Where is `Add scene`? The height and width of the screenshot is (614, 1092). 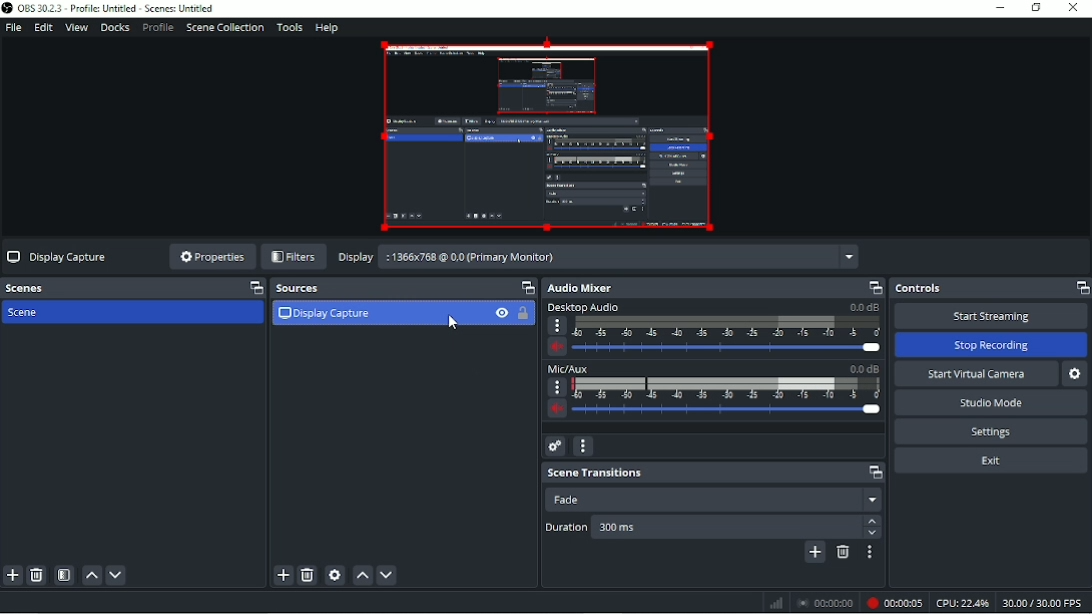 Add scene is located at coordinates (12, 576).